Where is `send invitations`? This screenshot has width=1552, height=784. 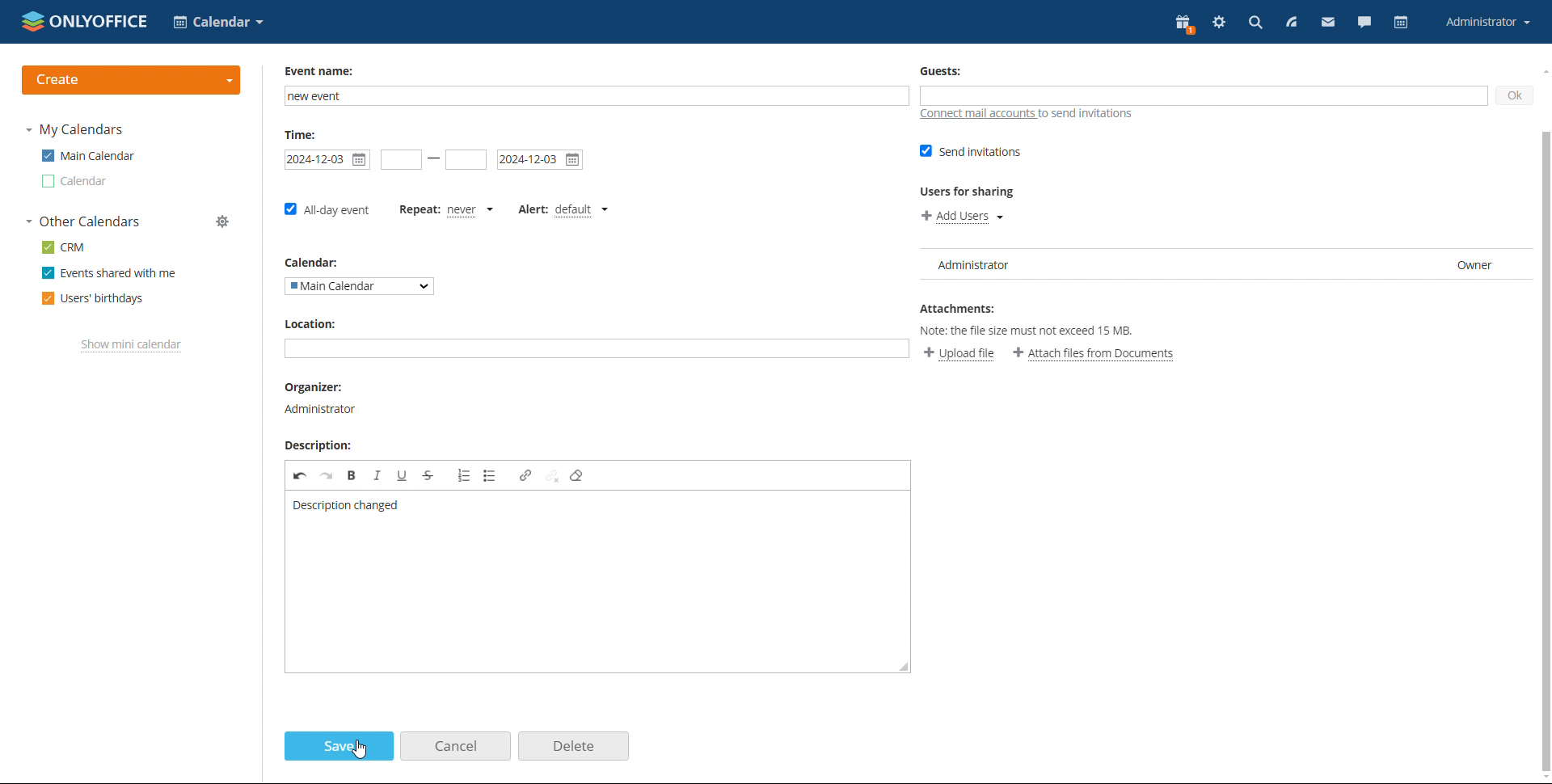 send invitations is located at coordinates (970, 152).